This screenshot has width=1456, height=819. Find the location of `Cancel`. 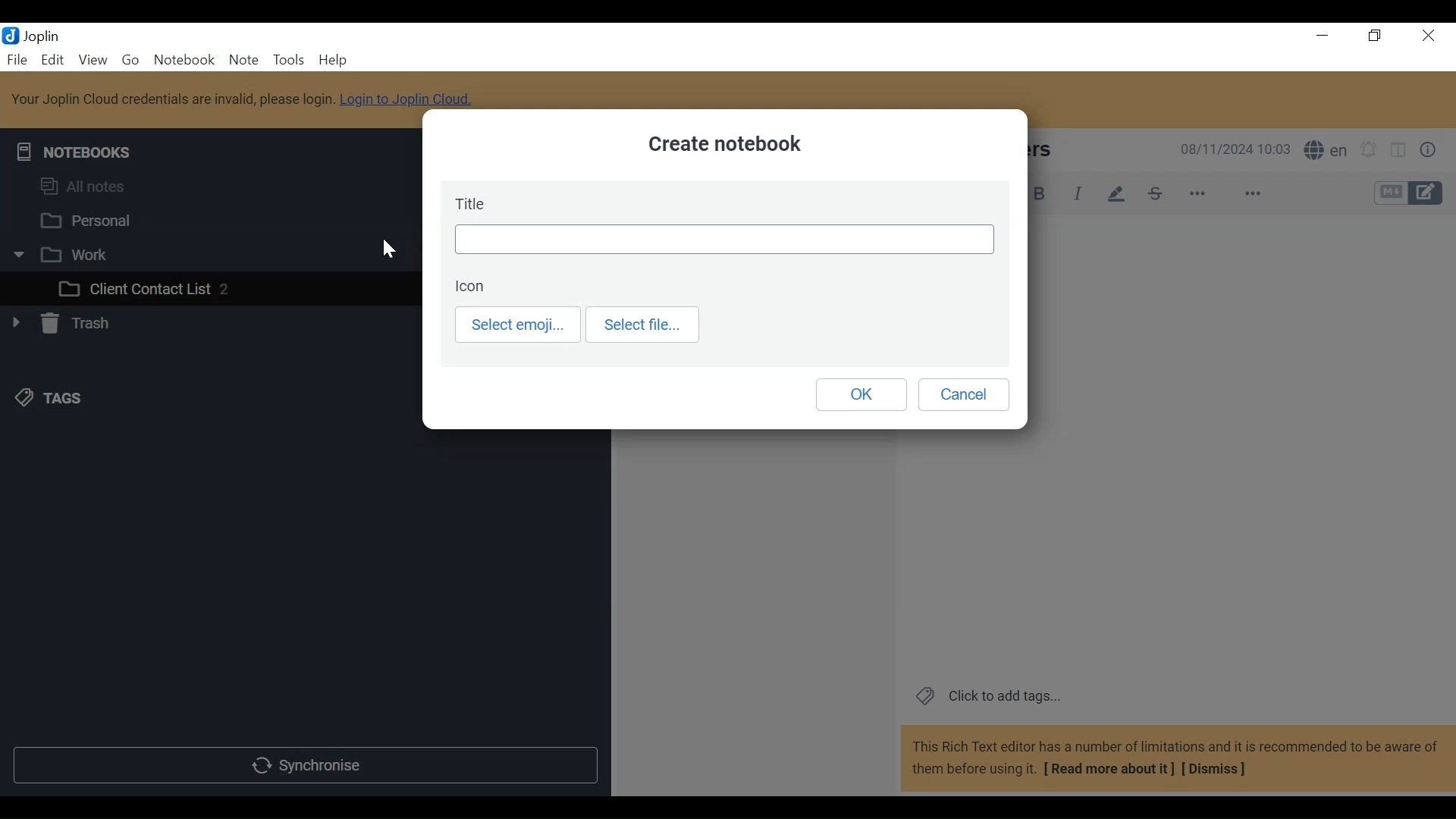

Cancel is located at coordinates (966, 394).